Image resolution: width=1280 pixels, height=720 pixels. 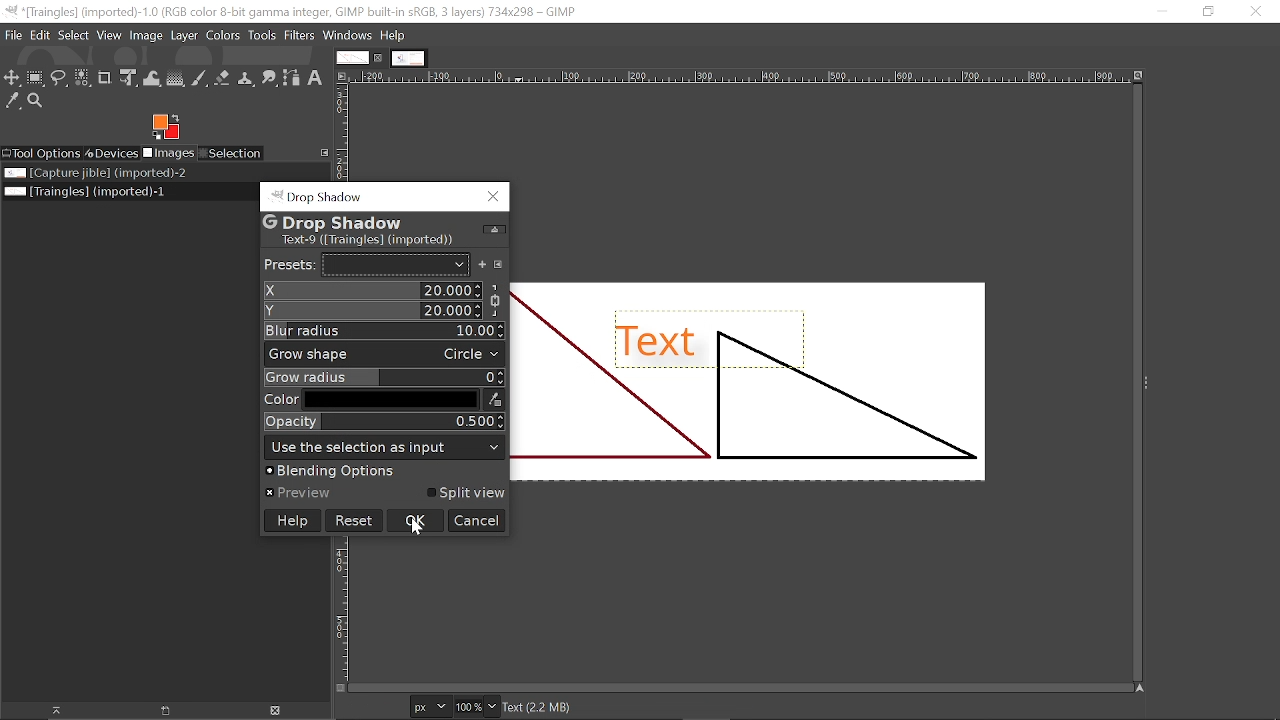 I want to click on Current tab, so click(x=351, y=58).